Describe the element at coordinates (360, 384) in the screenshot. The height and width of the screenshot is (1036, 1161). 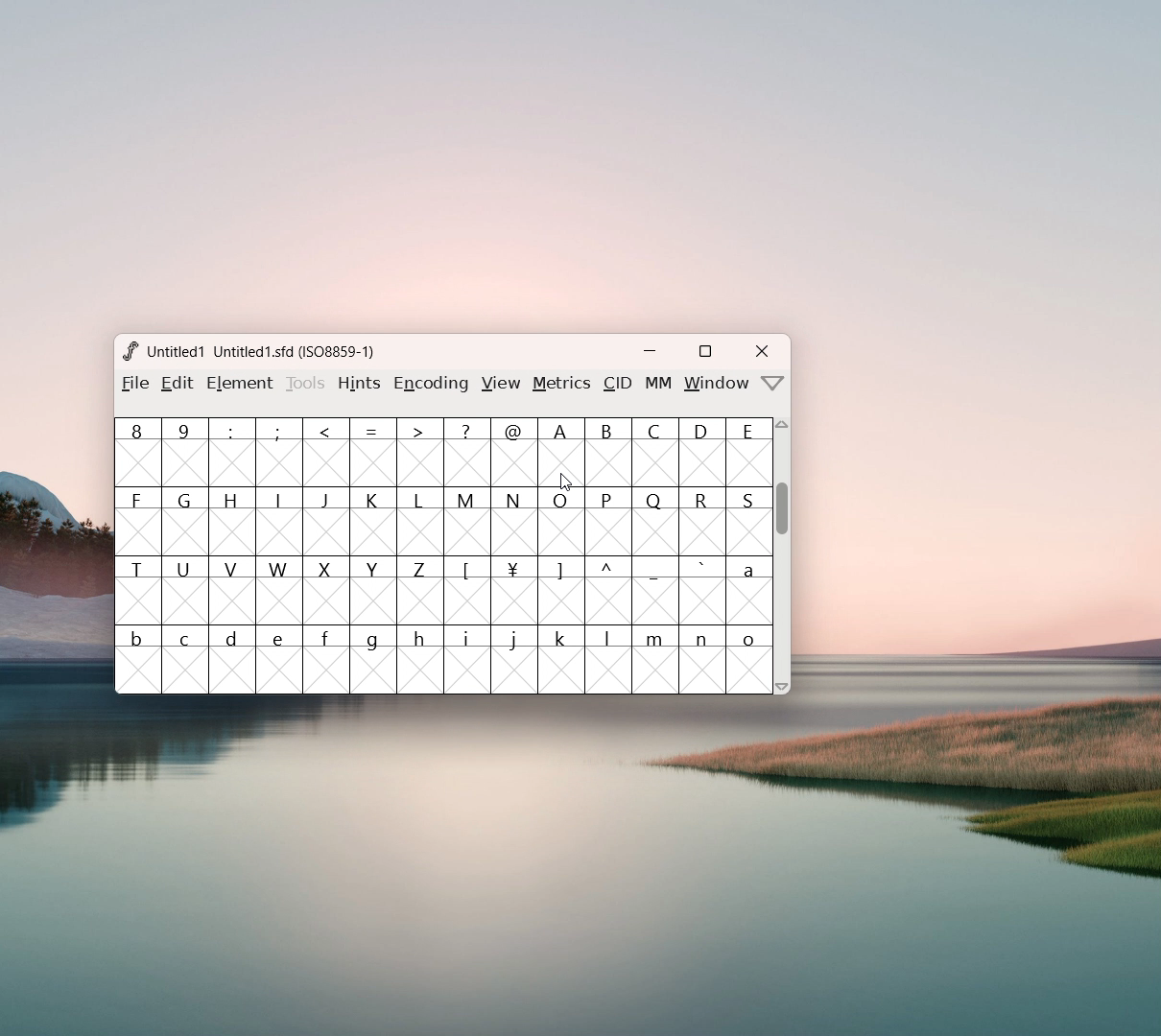
I see `hints` at that location.